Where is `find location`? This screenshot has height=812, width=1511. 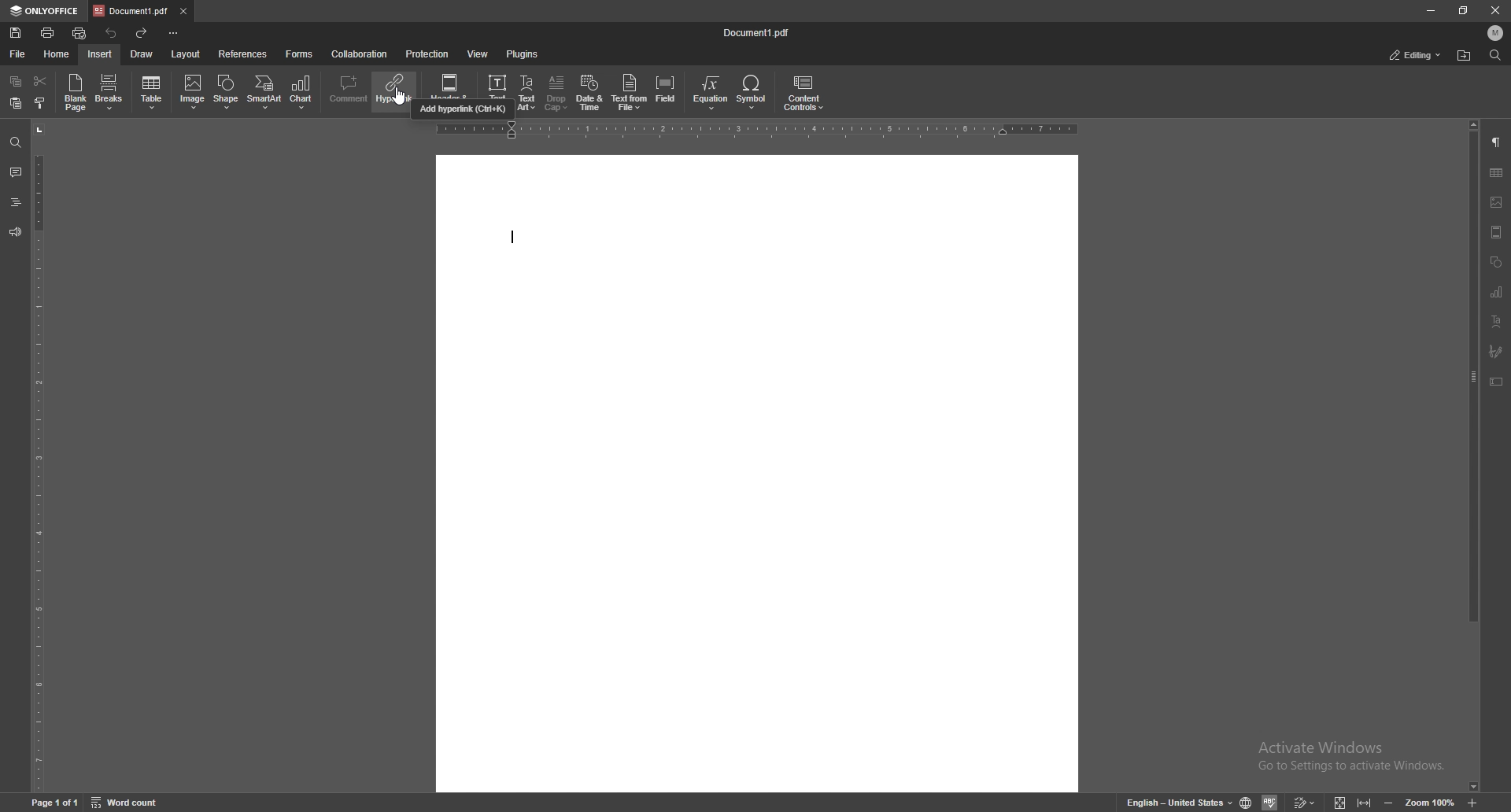
find location is located at coordinates (1464, 56).